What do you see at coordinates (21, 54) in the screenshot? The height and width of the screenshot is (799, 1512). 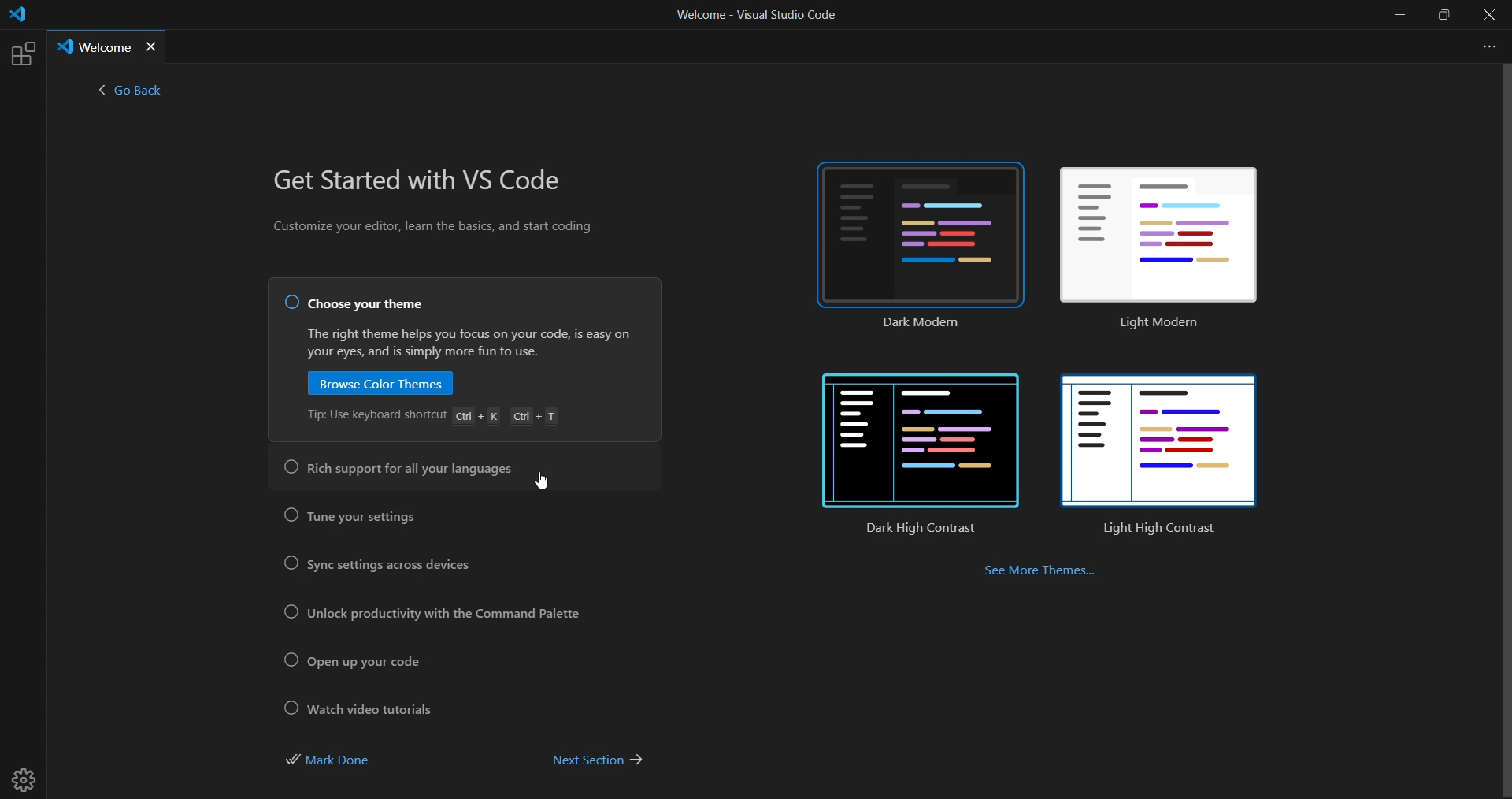 I see `extensions` at bounding box center [21, 54].